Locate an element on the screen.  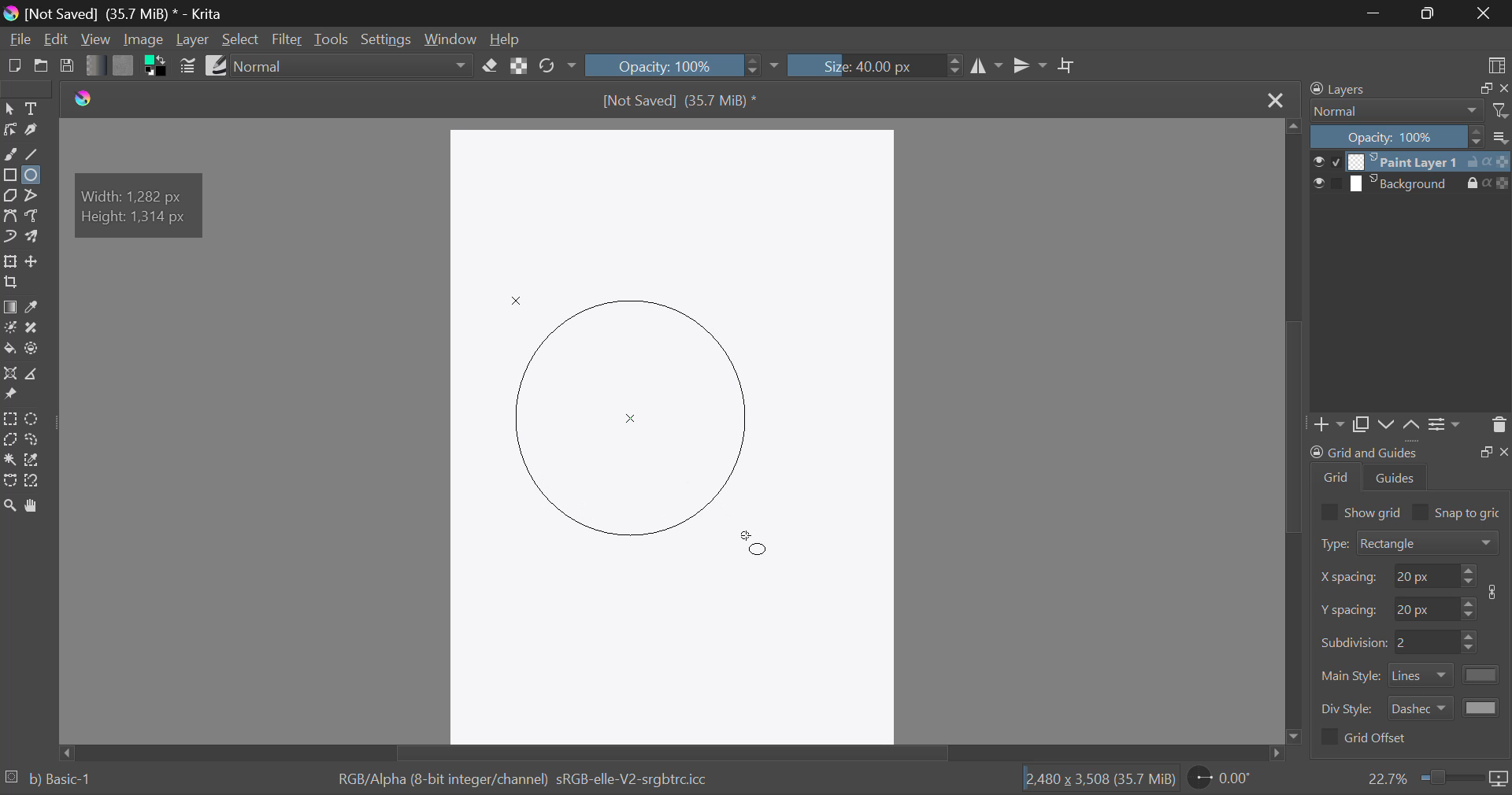
Enclose and Fill is located at coordinates (34, 349).